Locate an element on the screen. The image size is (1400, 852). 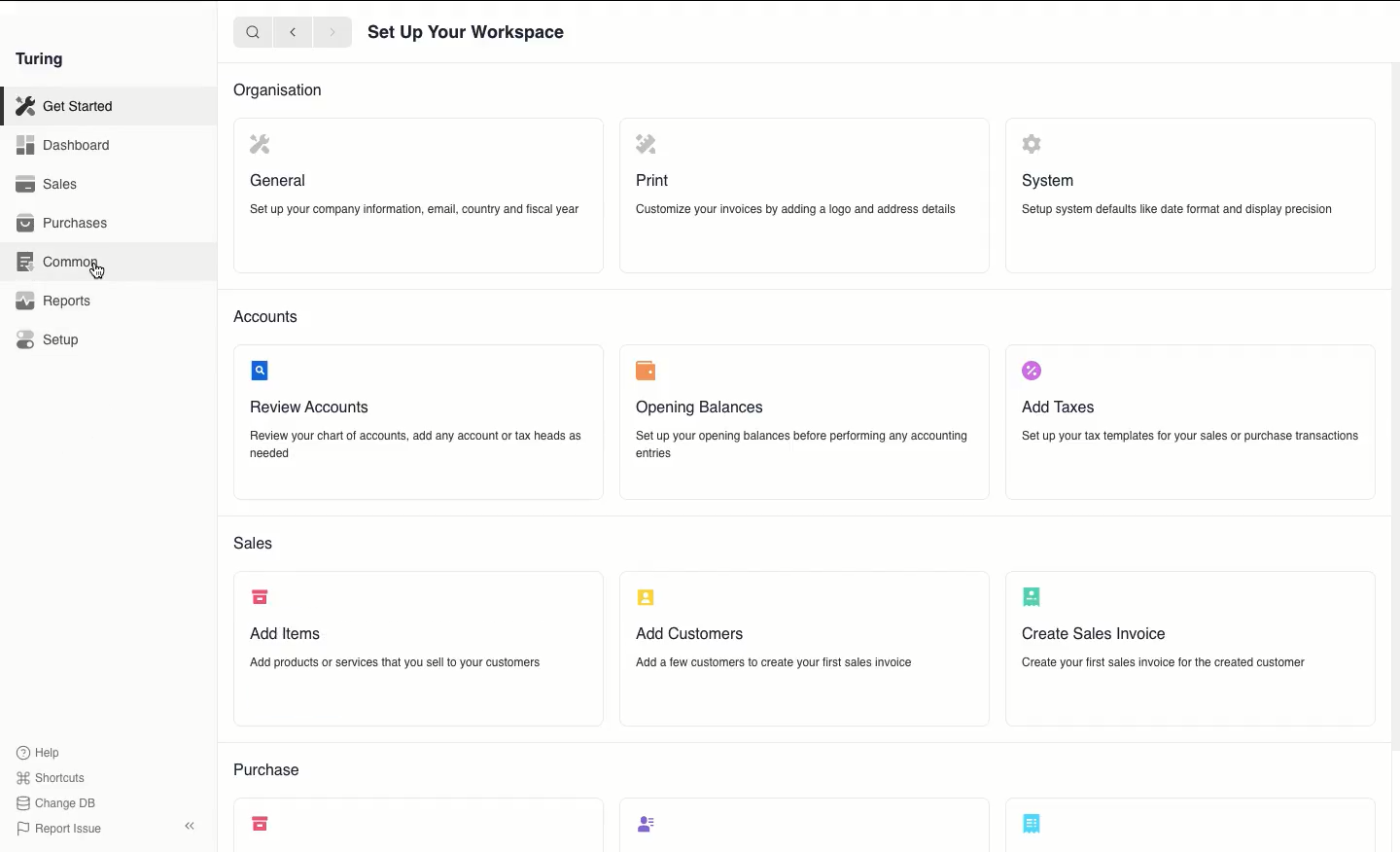
Add Taxes is located at coordinates (1057, 388).